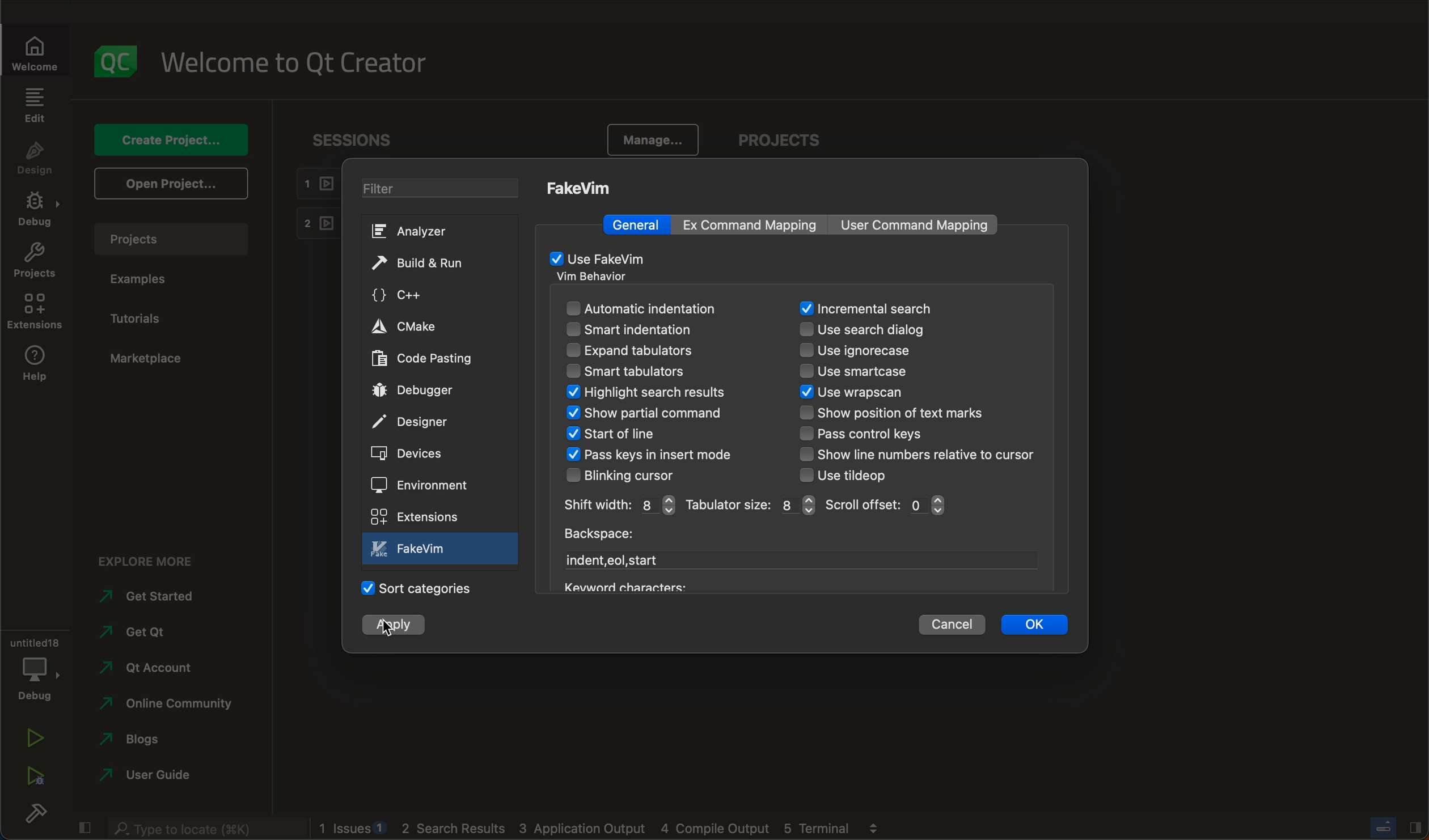  Describe the element at coordinates (426, 485) in the screenshot. I see `environment` at that location.